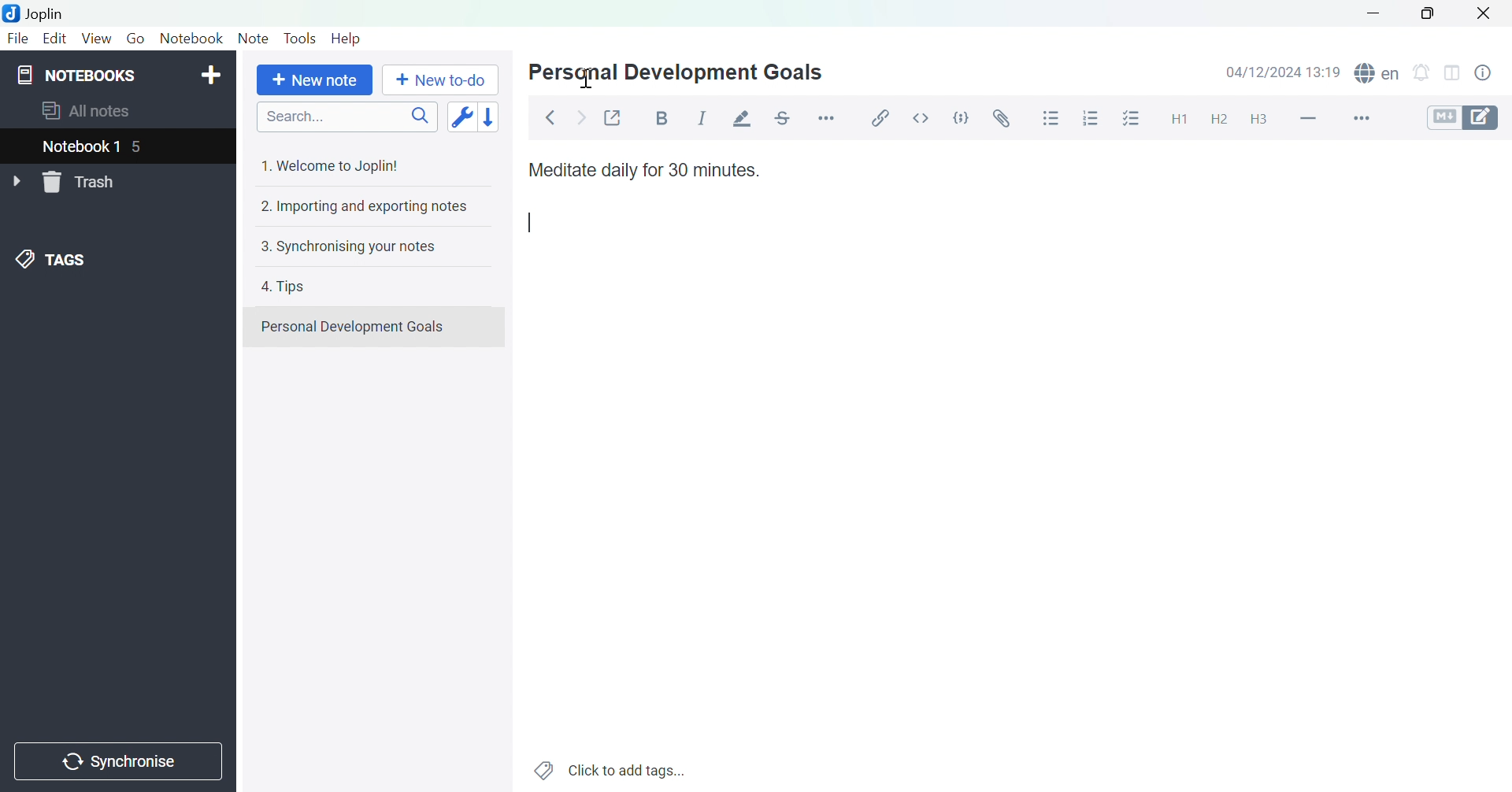 This screenshot has height=792, width=1512. What do you see at coordinates (346, 39) in the screenshot?
I see `Help` at bounding box center [346, 39].